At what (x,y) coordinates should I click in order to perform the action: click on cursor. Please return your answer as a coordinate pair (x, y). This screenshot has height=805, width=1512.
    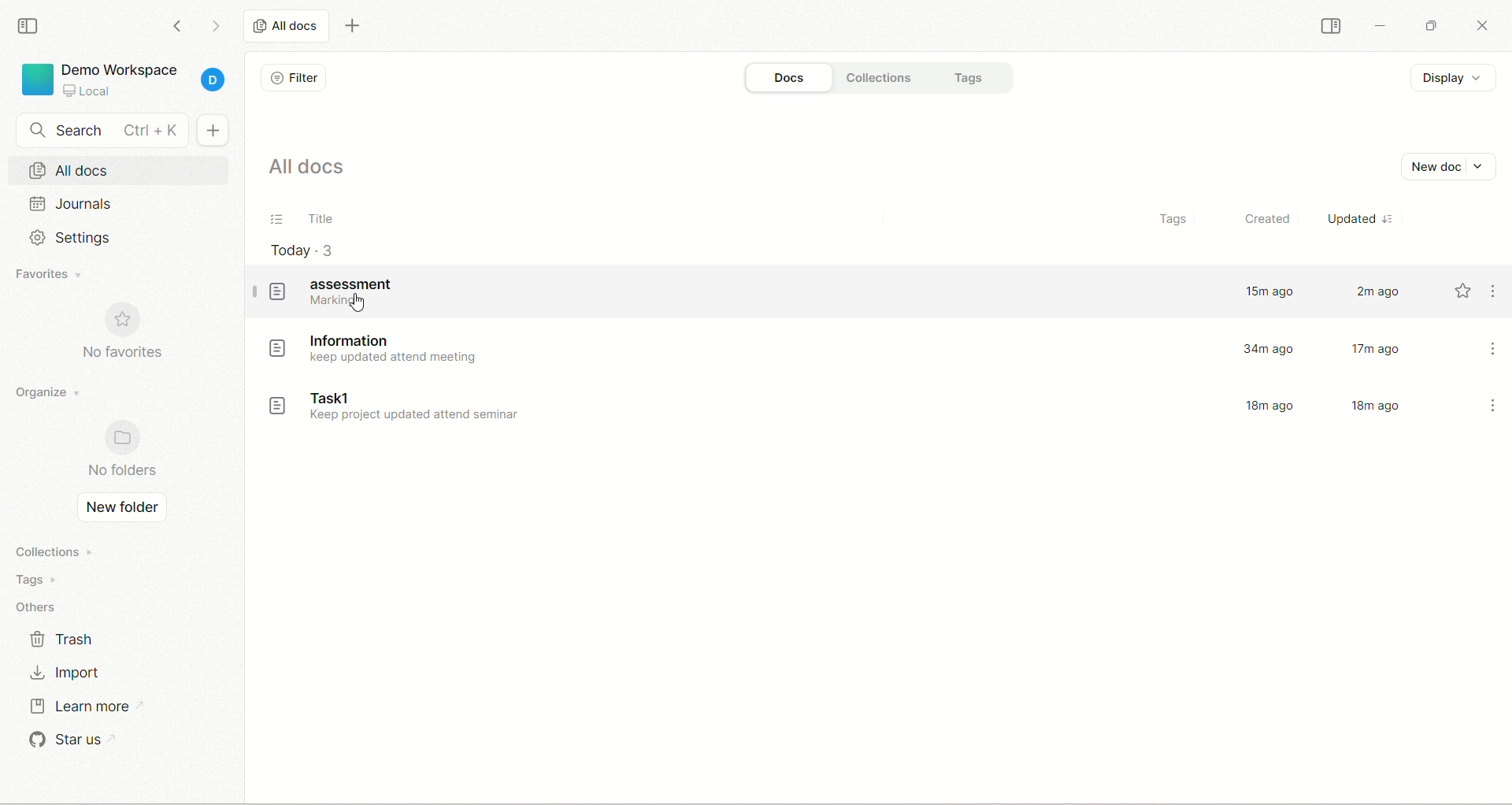
    Looking at the image, I should click on (357, 303).